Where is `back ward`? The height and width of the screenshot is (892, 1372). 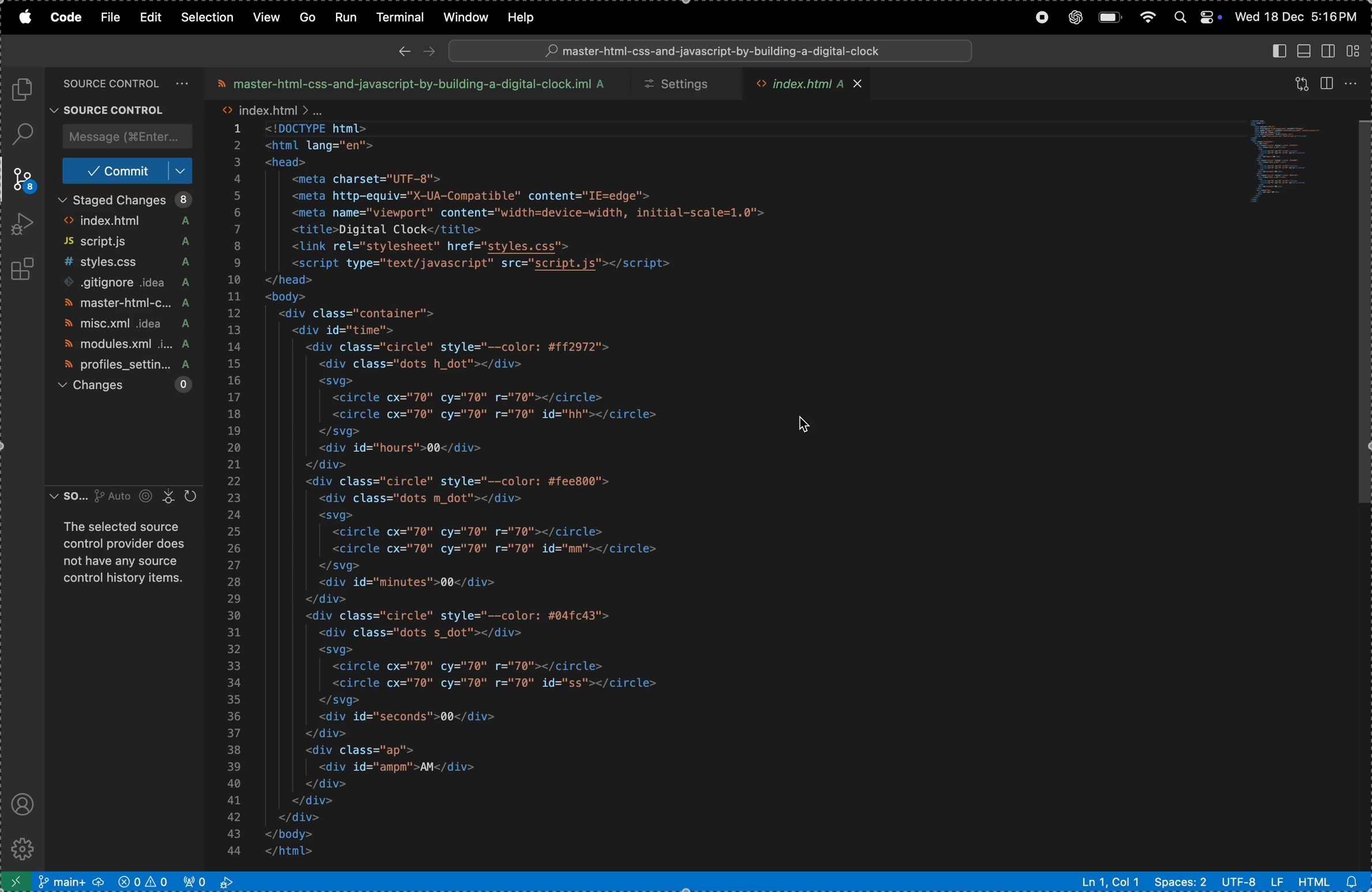
back ward is located at coordinates (405, 51).